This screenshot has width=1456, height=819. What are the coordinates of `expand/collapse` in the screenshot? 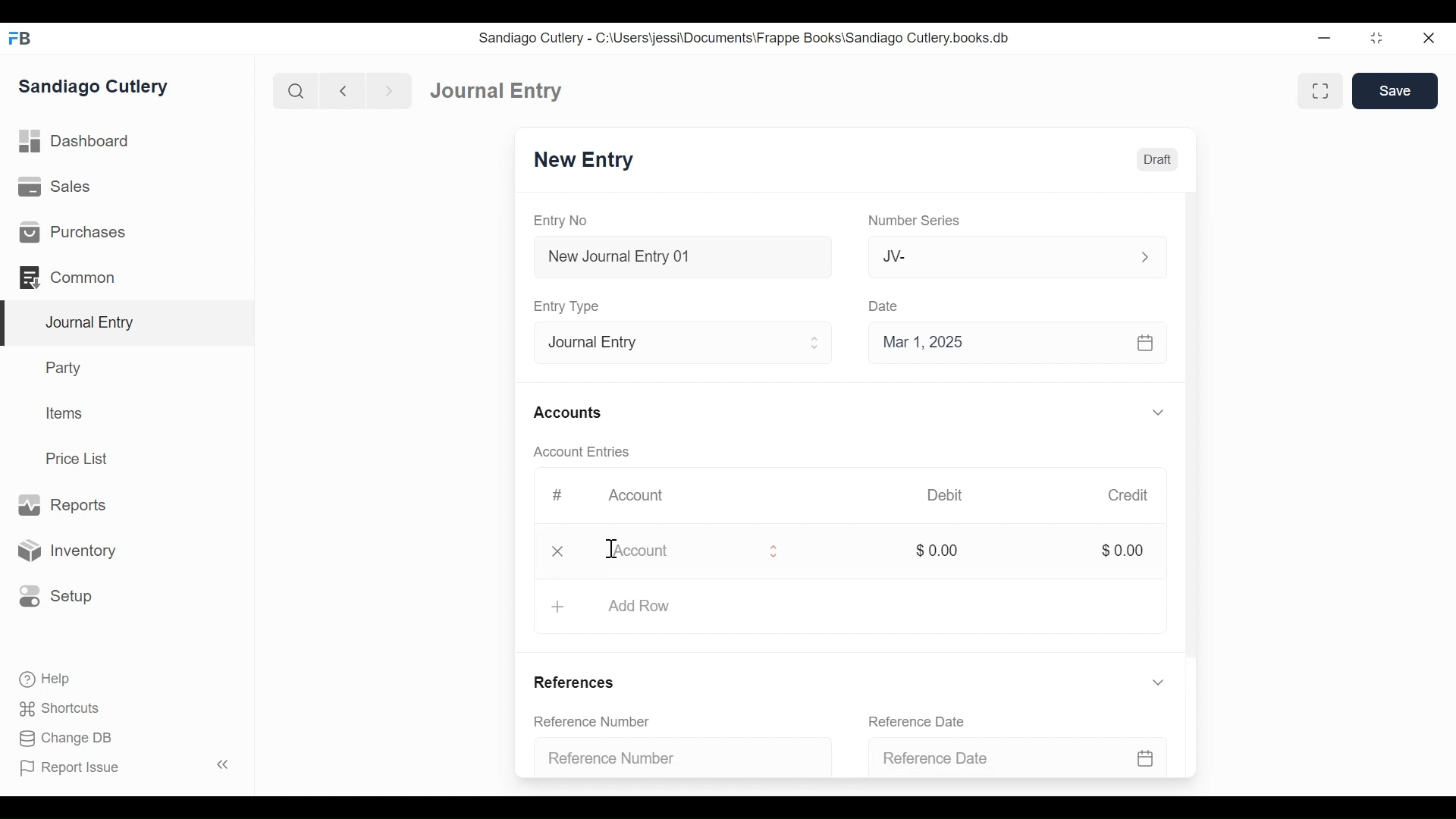 It's located at (1157, 682).